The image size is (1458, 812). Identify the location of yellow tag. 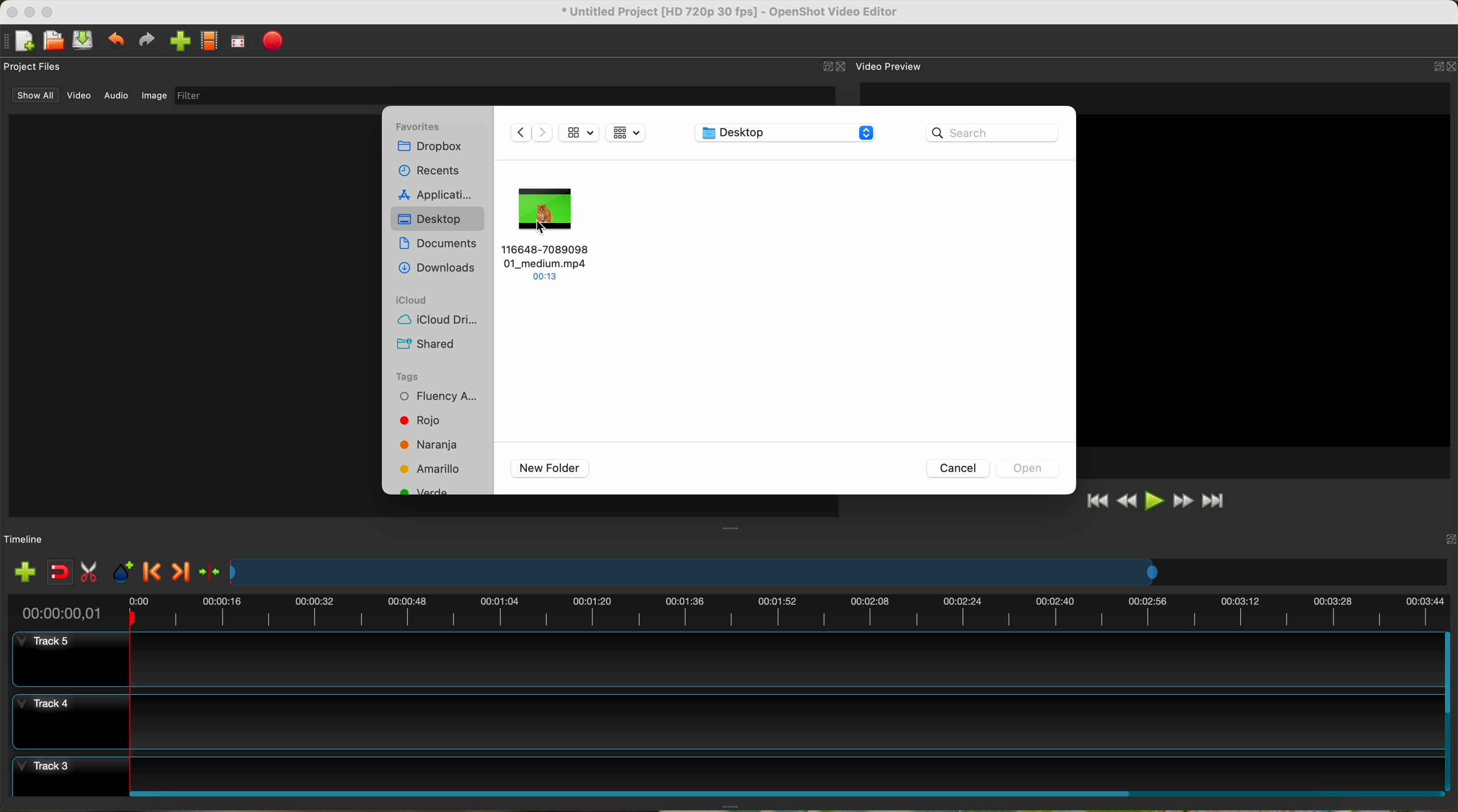
(431, 469).